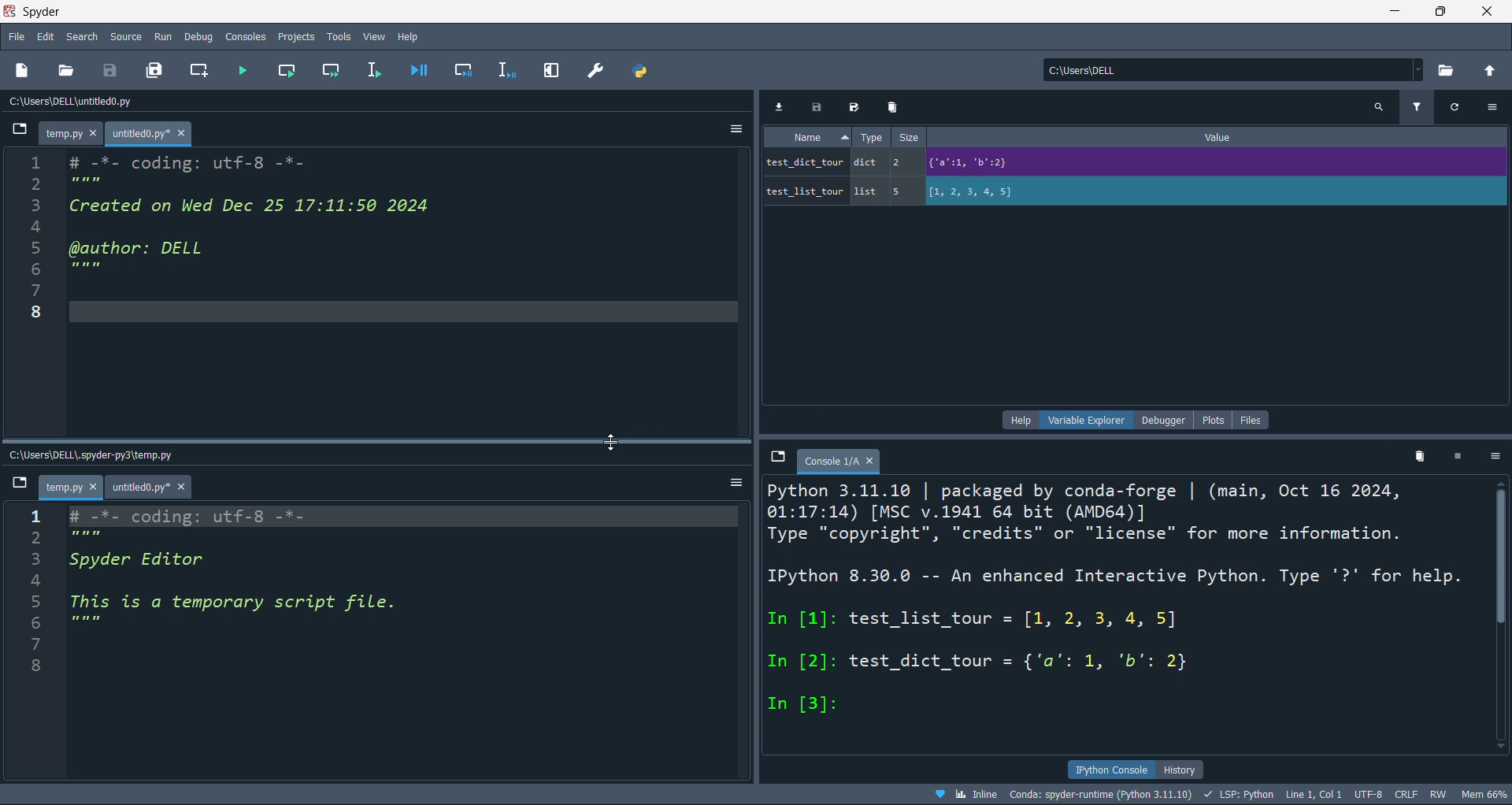 Image resolution: width=1512 pixels, height=805 pixels. What do you see at coordinates (228, 601) in the screenshot?
I see `5 This 1s a temporary script file.l` at bounding box center [228, 601].